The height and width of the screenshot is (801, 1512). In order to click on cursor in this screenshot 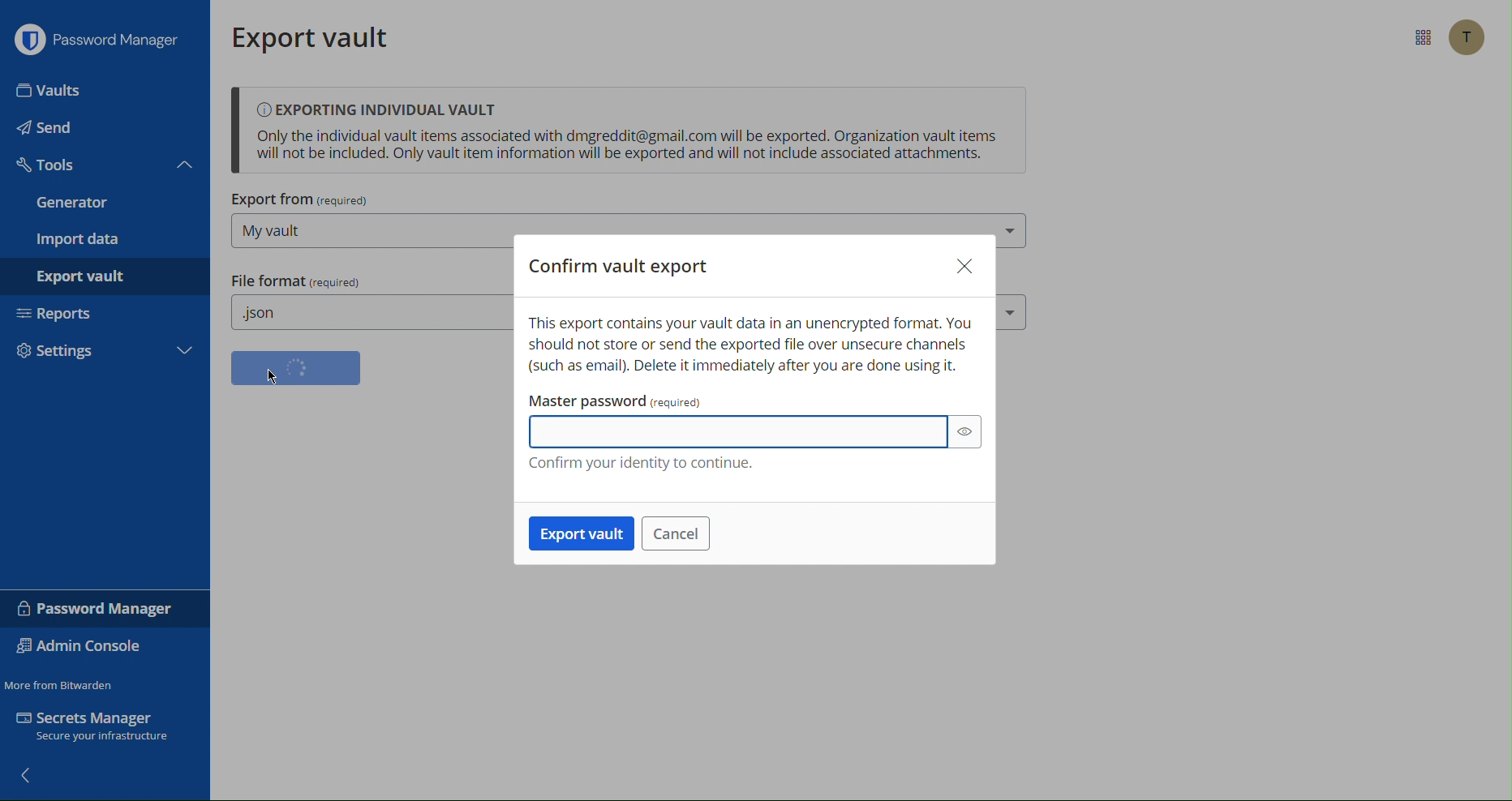, I will do `click(273, 376)`.